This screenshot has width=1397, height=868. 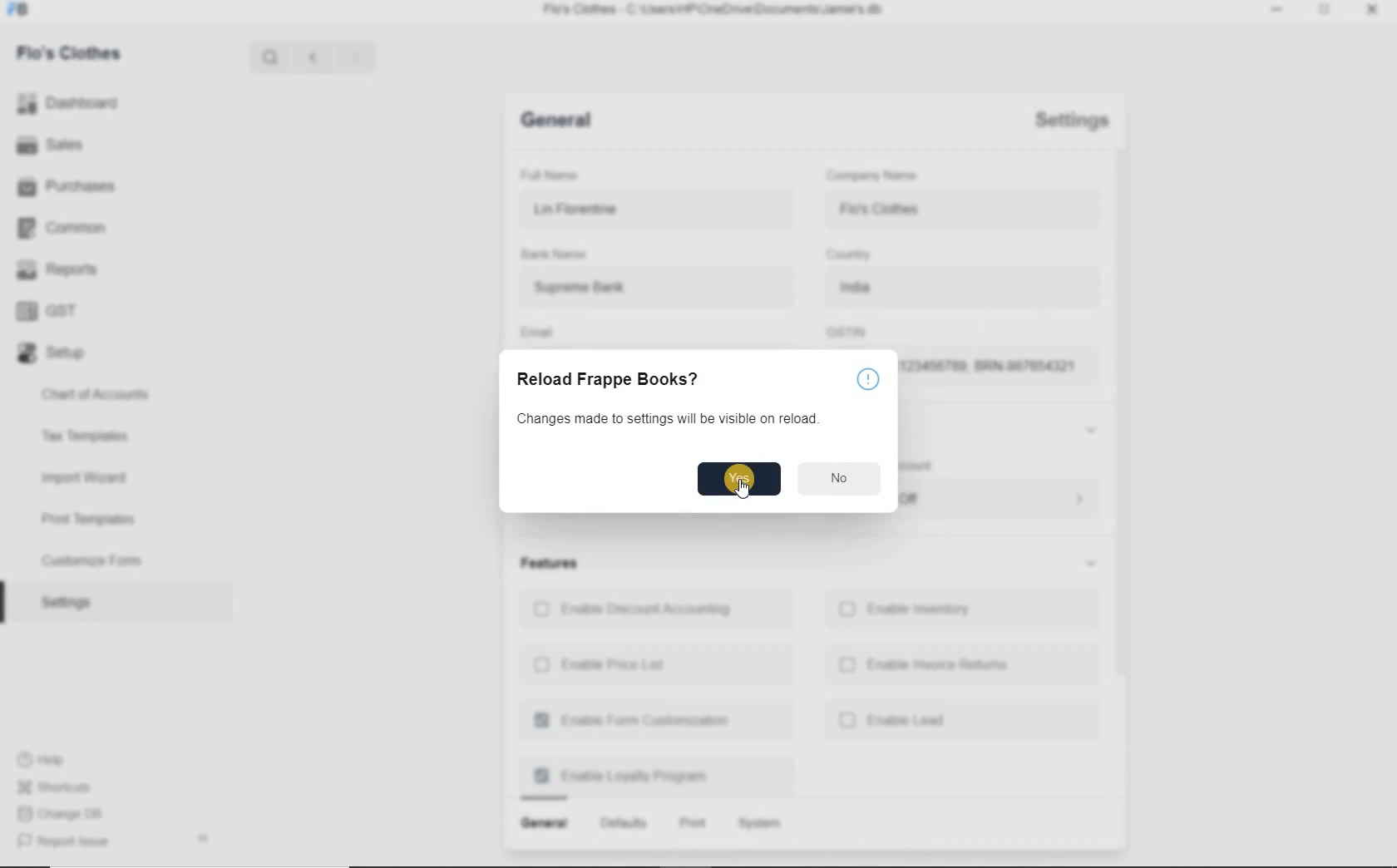 What do you see at coordinates (738, 478) in the screenshot?
I see `yes` at bounding box center [738, 478].